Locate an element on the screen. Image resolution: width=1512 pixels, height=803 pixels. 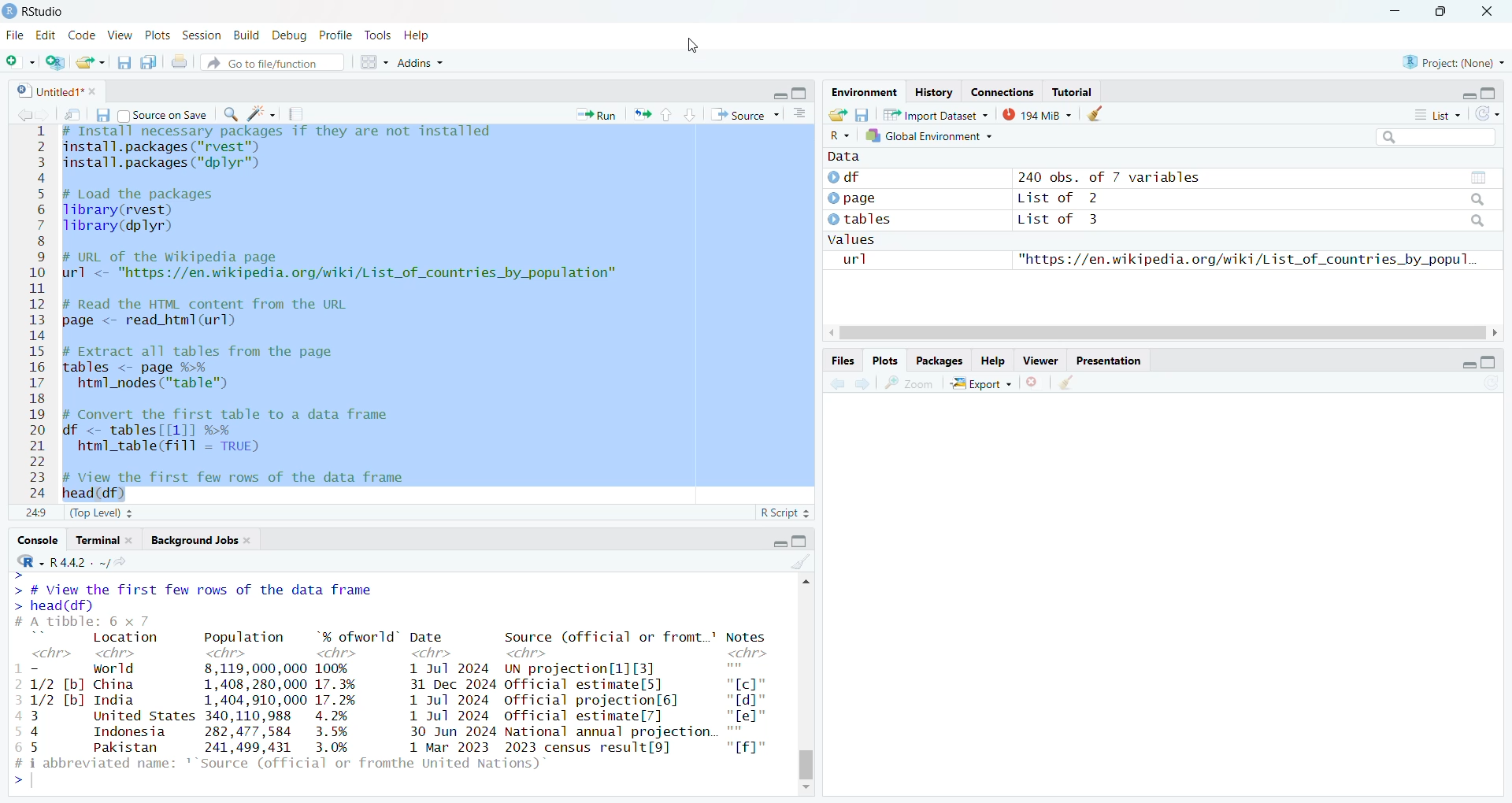
Zoom is located at coordinates (910, 383).